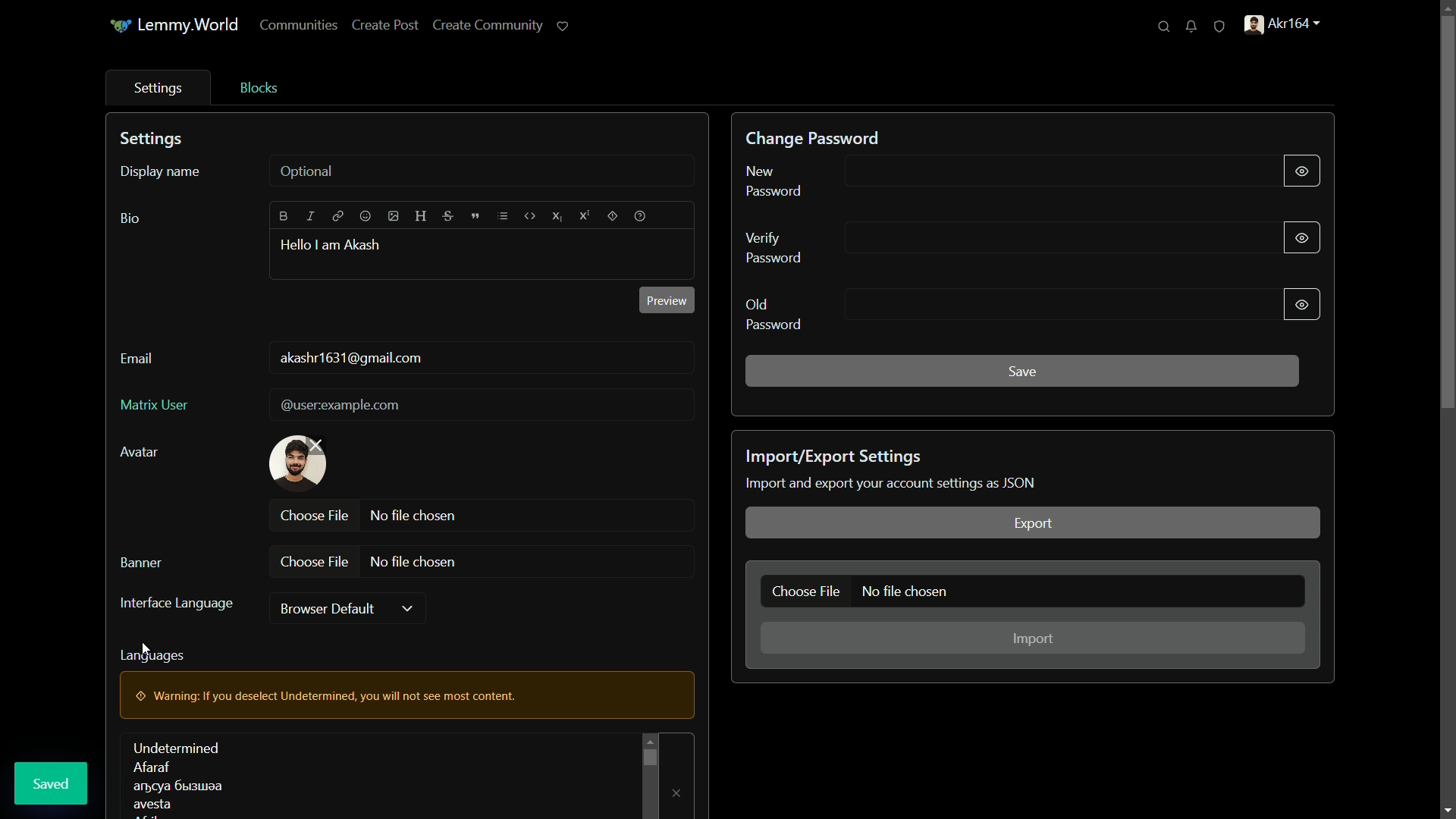 This screenshot has width=1456, height=819. Describe the element at coordinates (529, 217) in the screenshot. I see `code` at that location.